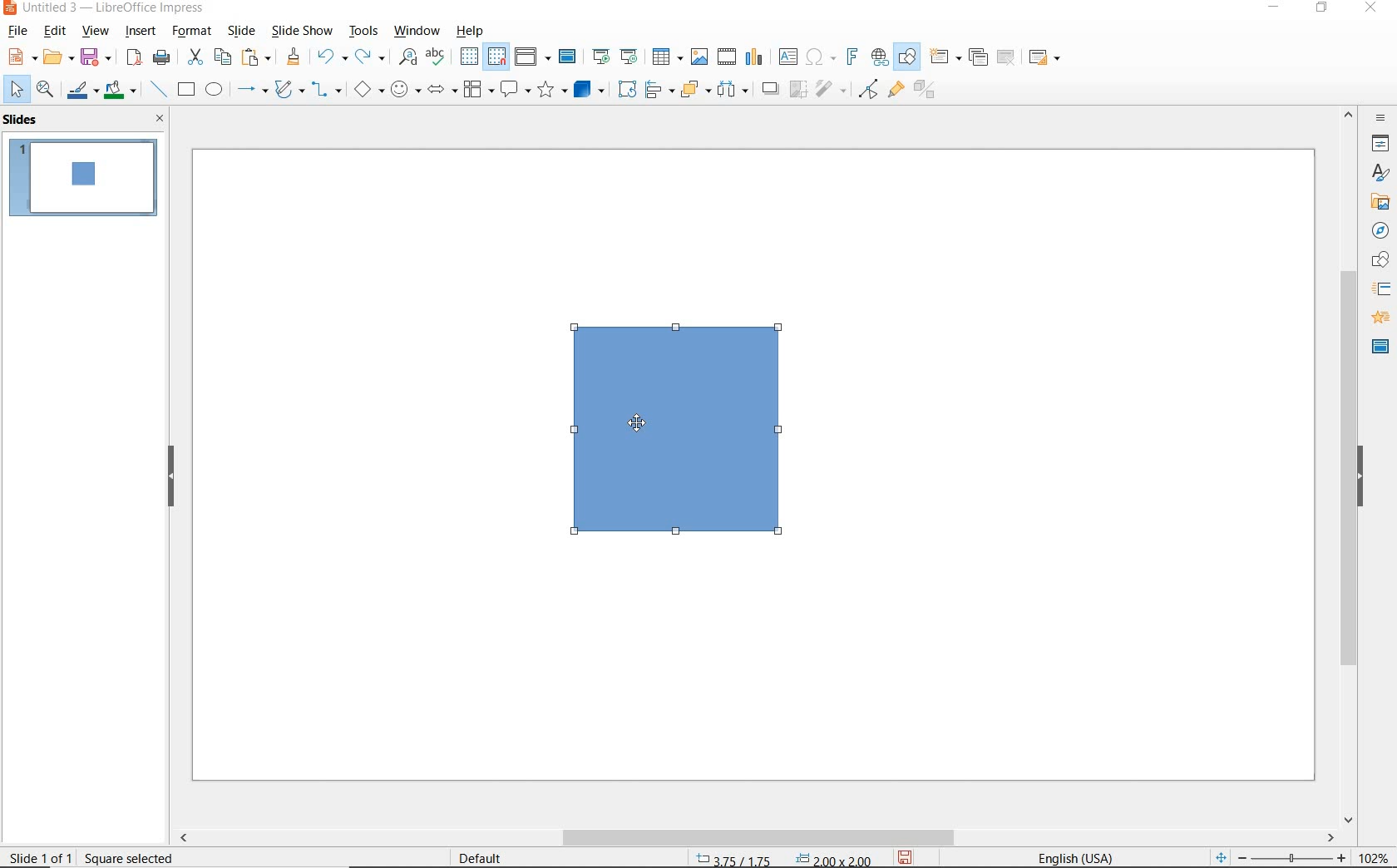  What do you see at coordinates (1380, 289) in the screenshot?
I see `slide transition` at bounding box center [1380, 289].